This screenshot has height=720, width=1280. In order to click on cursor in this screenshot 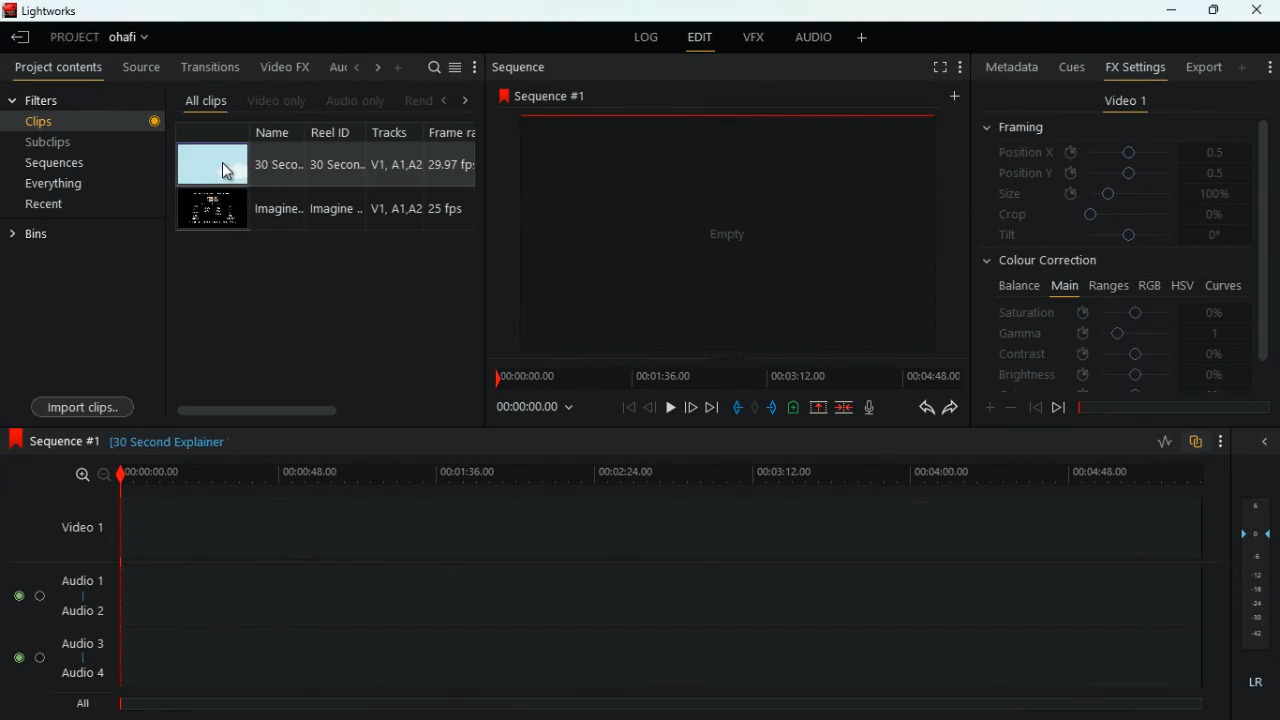, I will do `click(228, 170)`.